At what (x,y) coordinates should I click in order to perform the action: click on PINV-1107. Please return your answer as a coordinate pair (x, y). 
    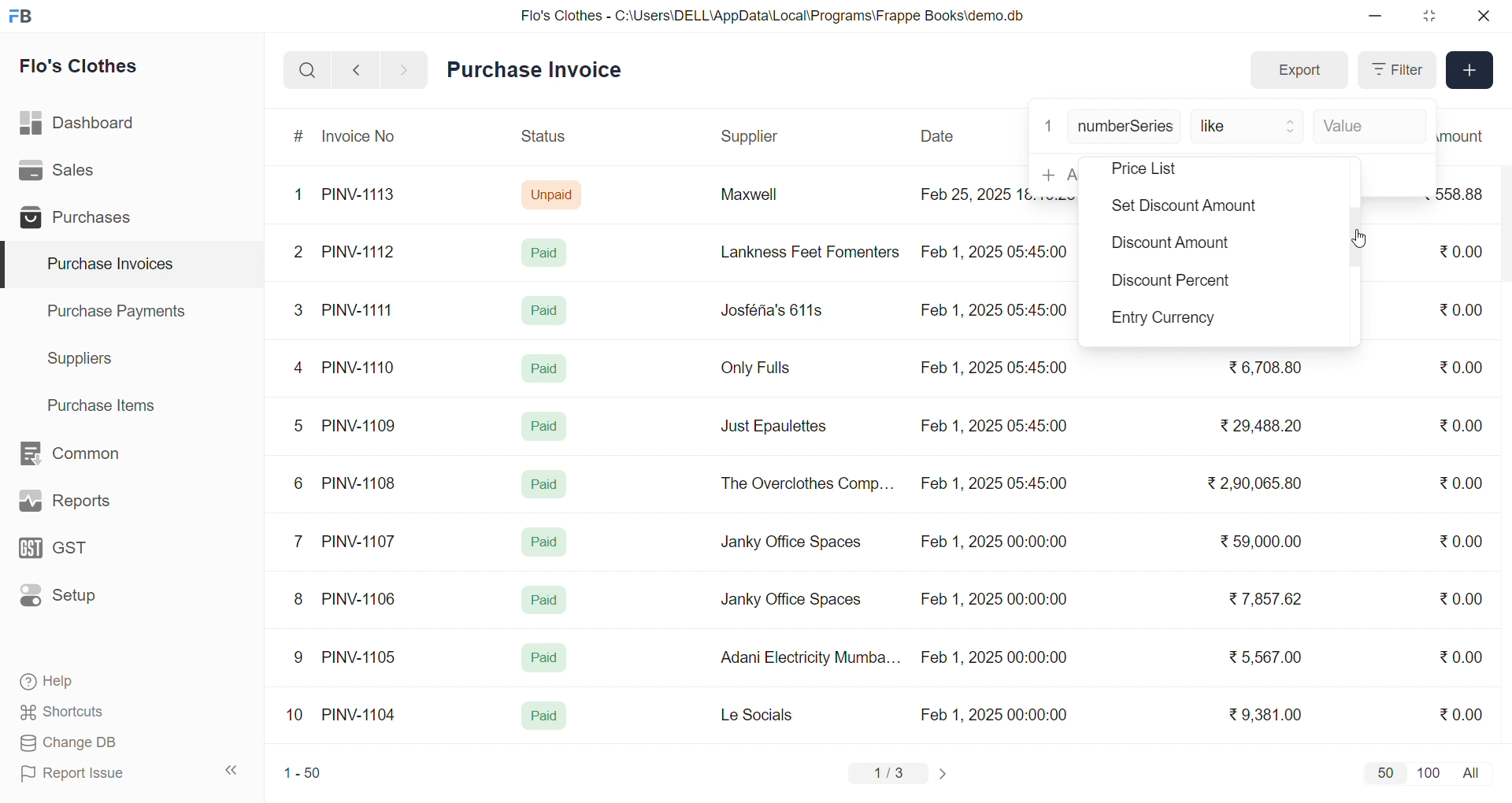
    Looking at the image, I should click on (362, 542).